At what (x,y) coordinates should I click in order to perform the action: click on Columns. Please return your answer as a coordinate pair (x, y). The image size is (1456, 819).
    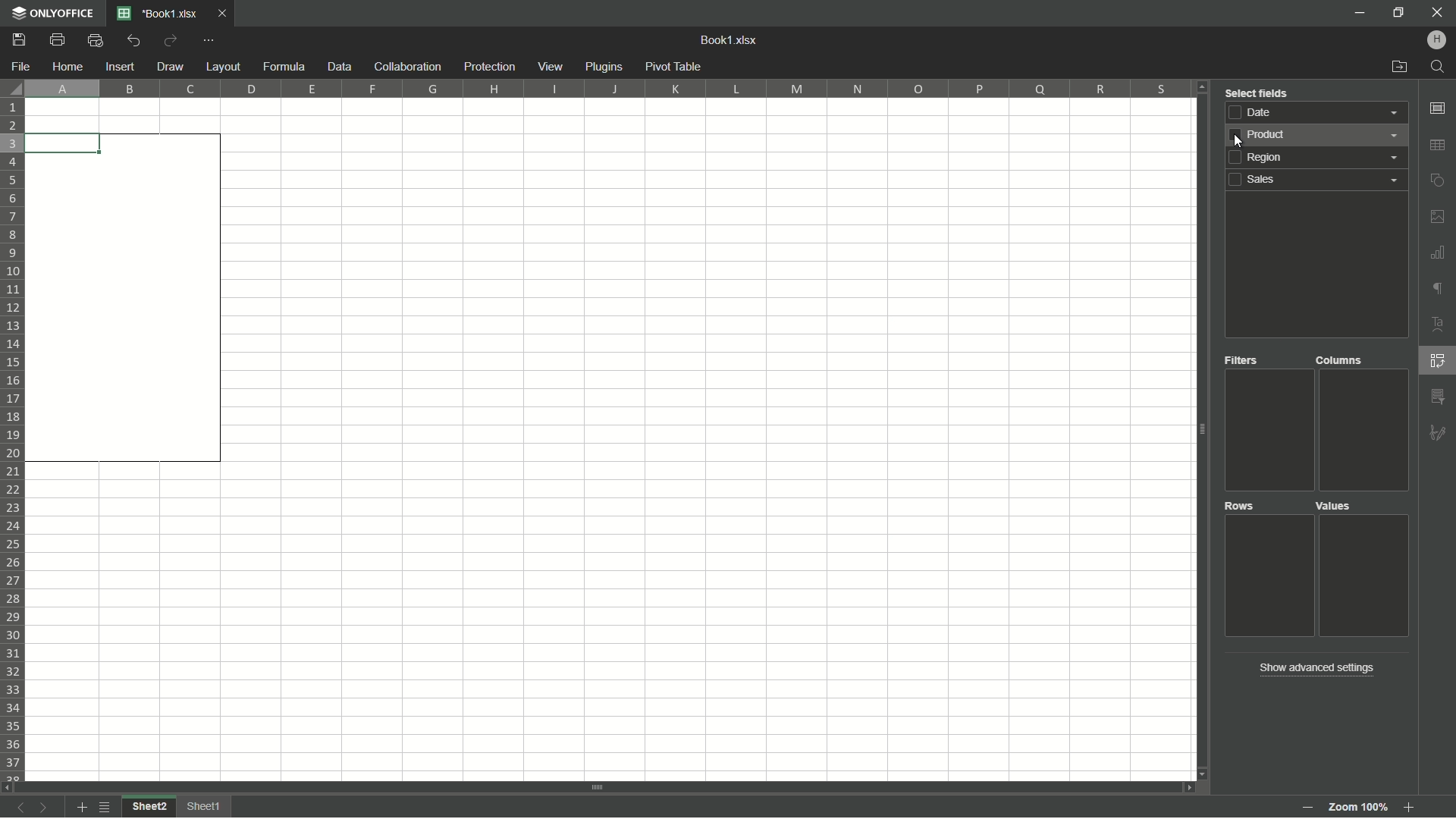
    Looking at the image, I should click on (1340, 361).